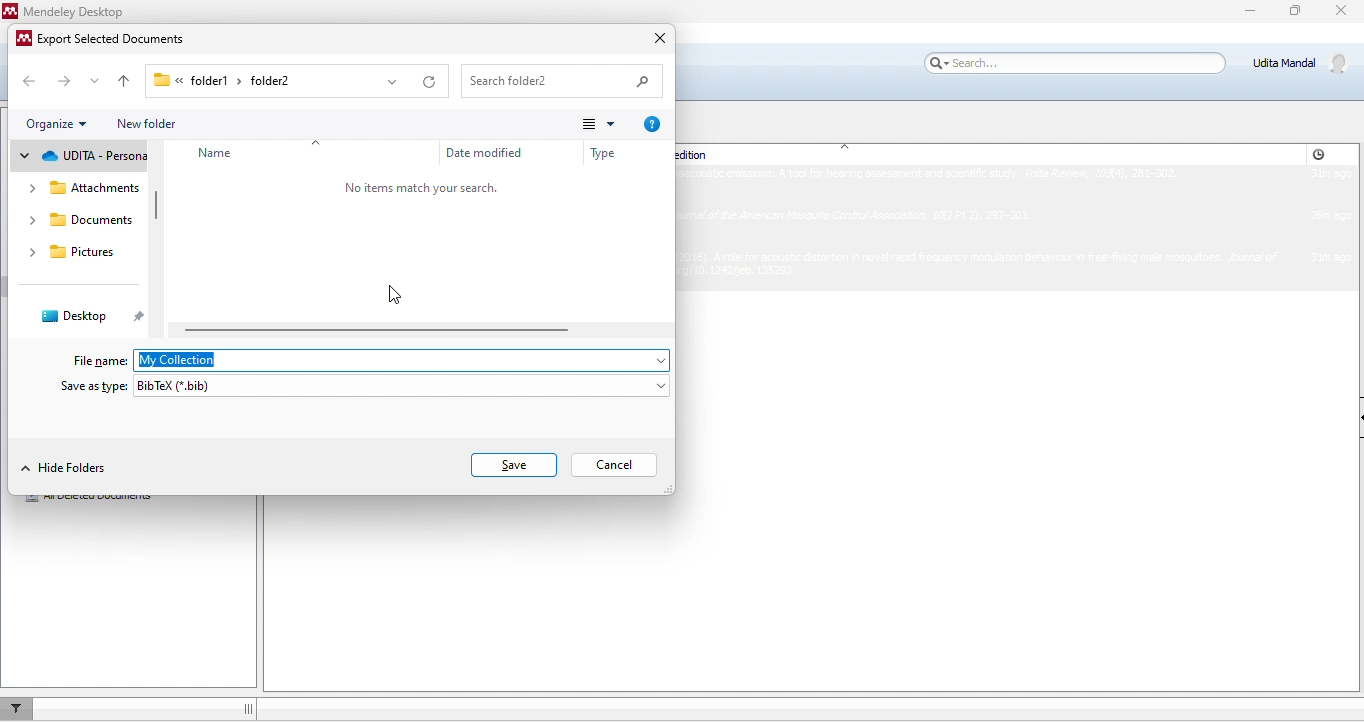 This screenshot has width=1364, height=722. What do you see at coordinates (262, 79) in the screenshot?
I see `file path` at bounding box center [262, 79].